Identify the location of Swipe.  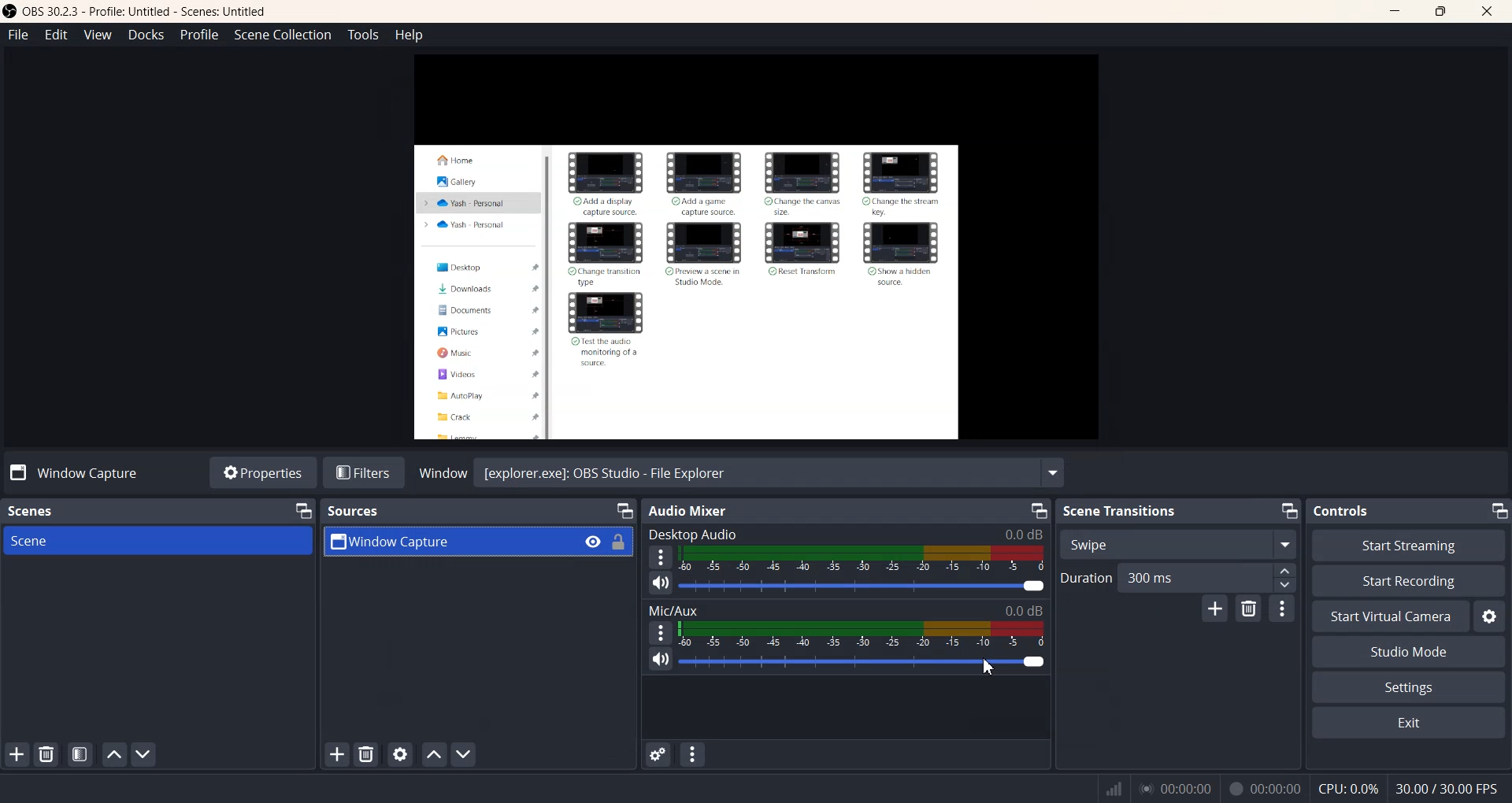
(1179, 543).